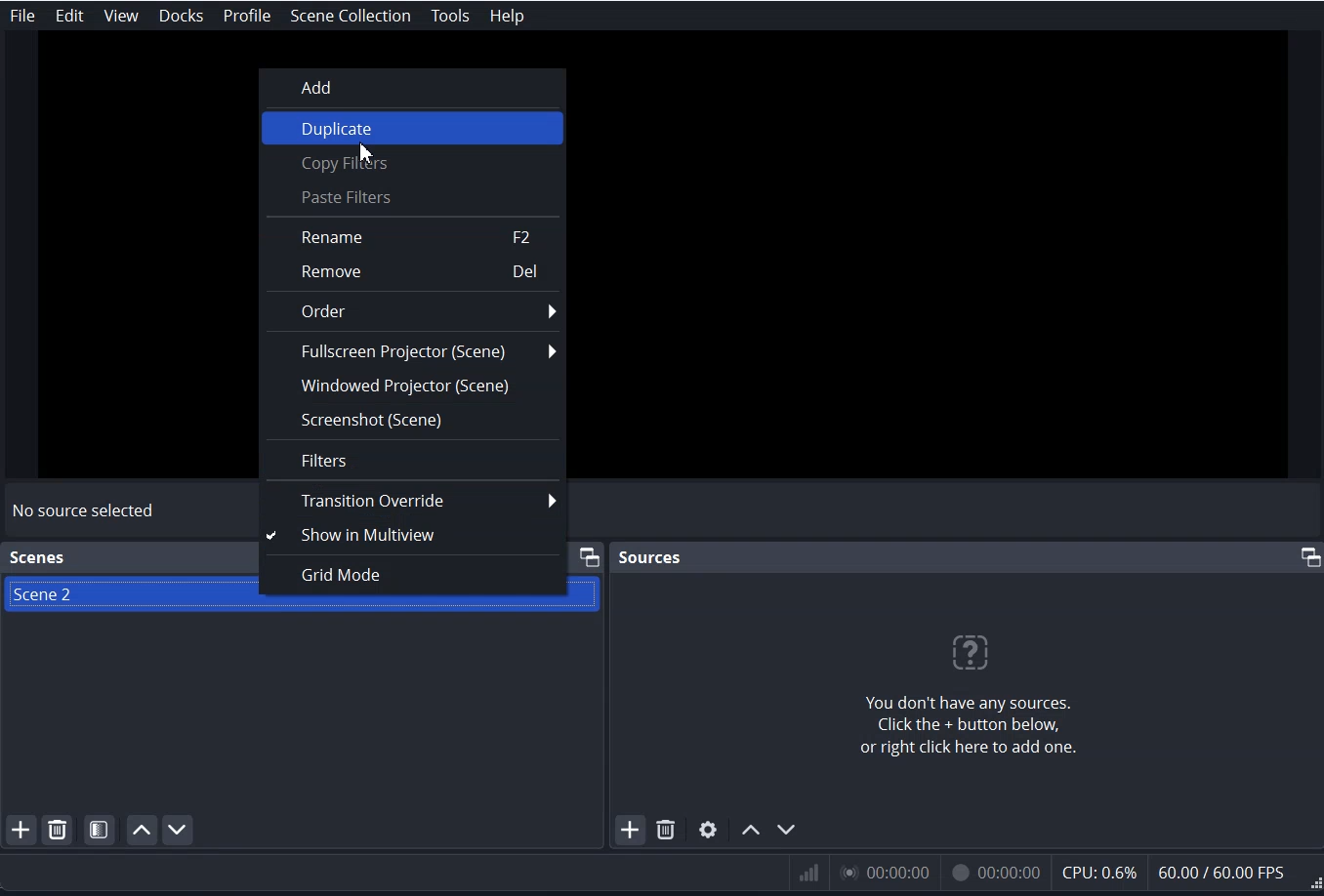  Describe the element at coordinates (752, 829) in the screenshot. I see `Move Source Up` at that location.